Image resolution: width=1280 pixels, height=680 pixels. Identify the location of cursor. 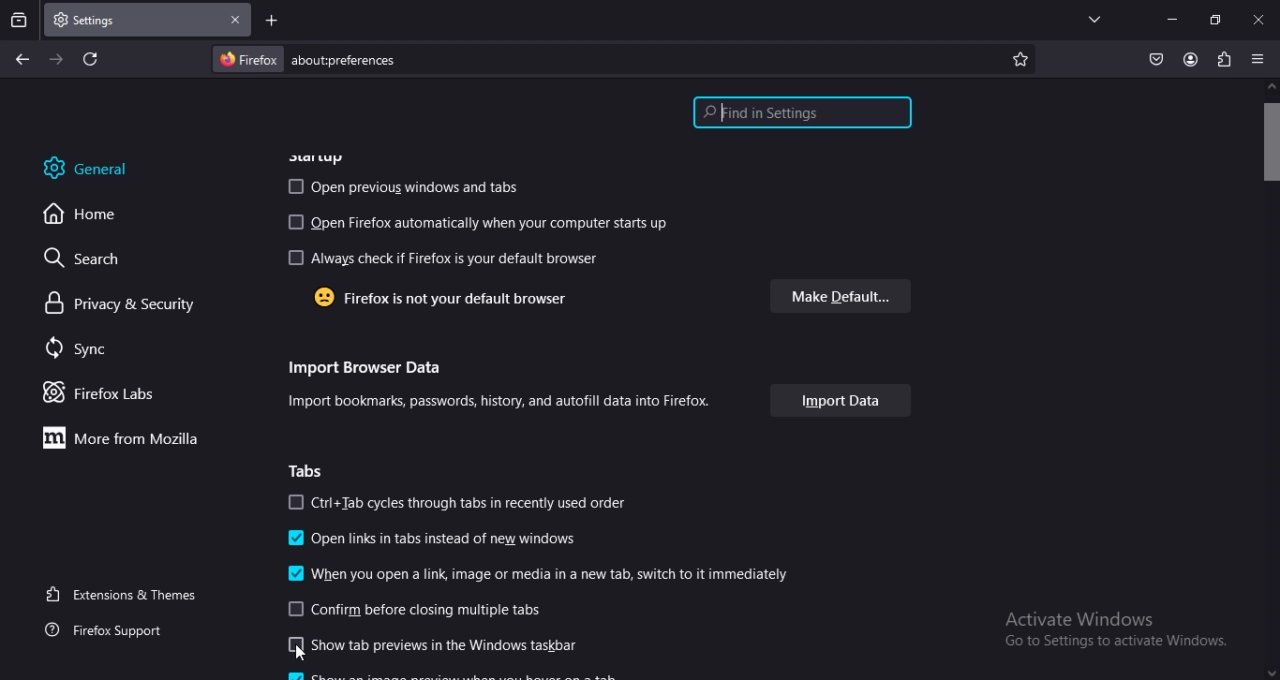
(298, 651).